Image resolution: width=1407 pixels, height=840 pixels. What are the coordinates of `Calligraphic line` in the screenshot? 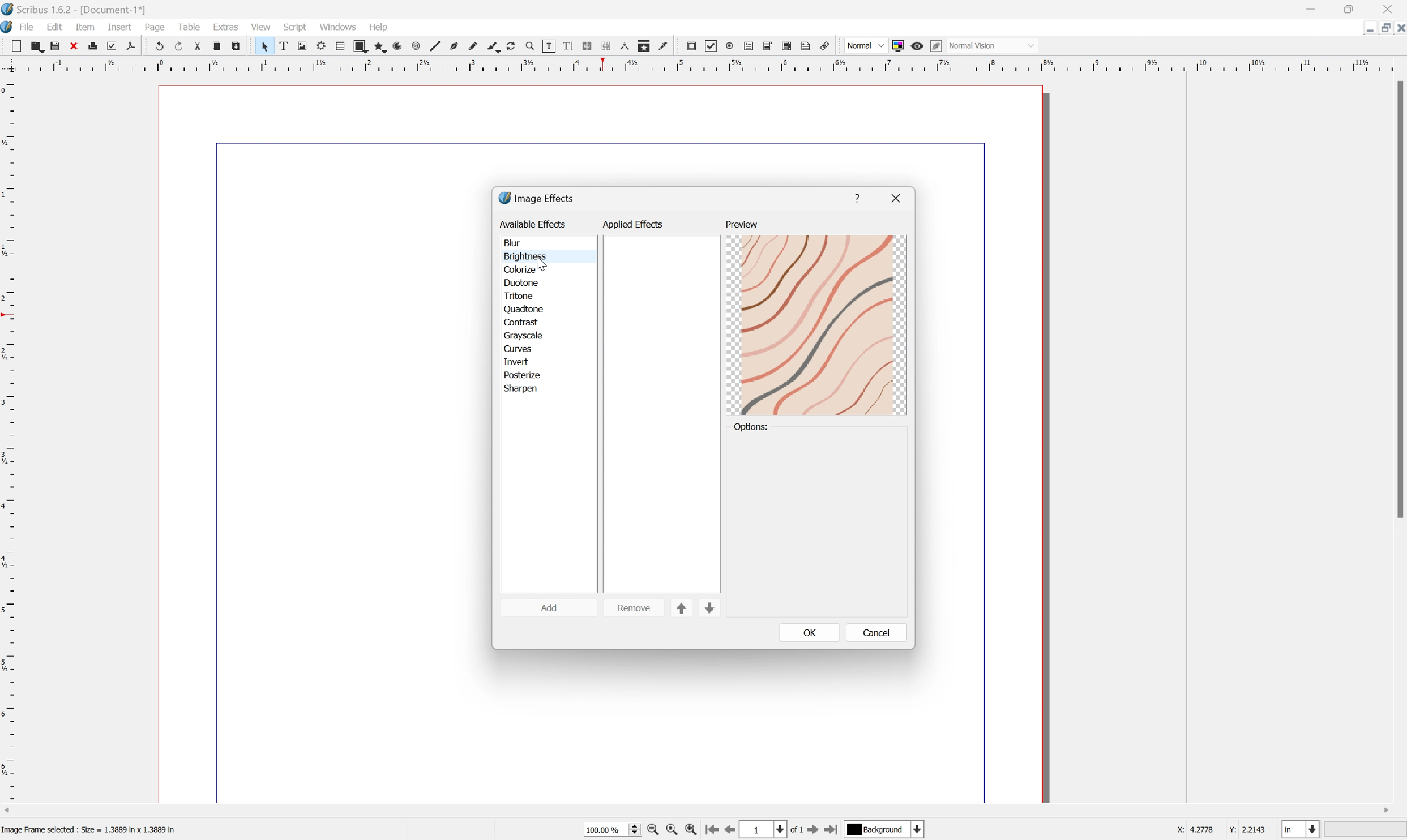 It's located at (496, 48).